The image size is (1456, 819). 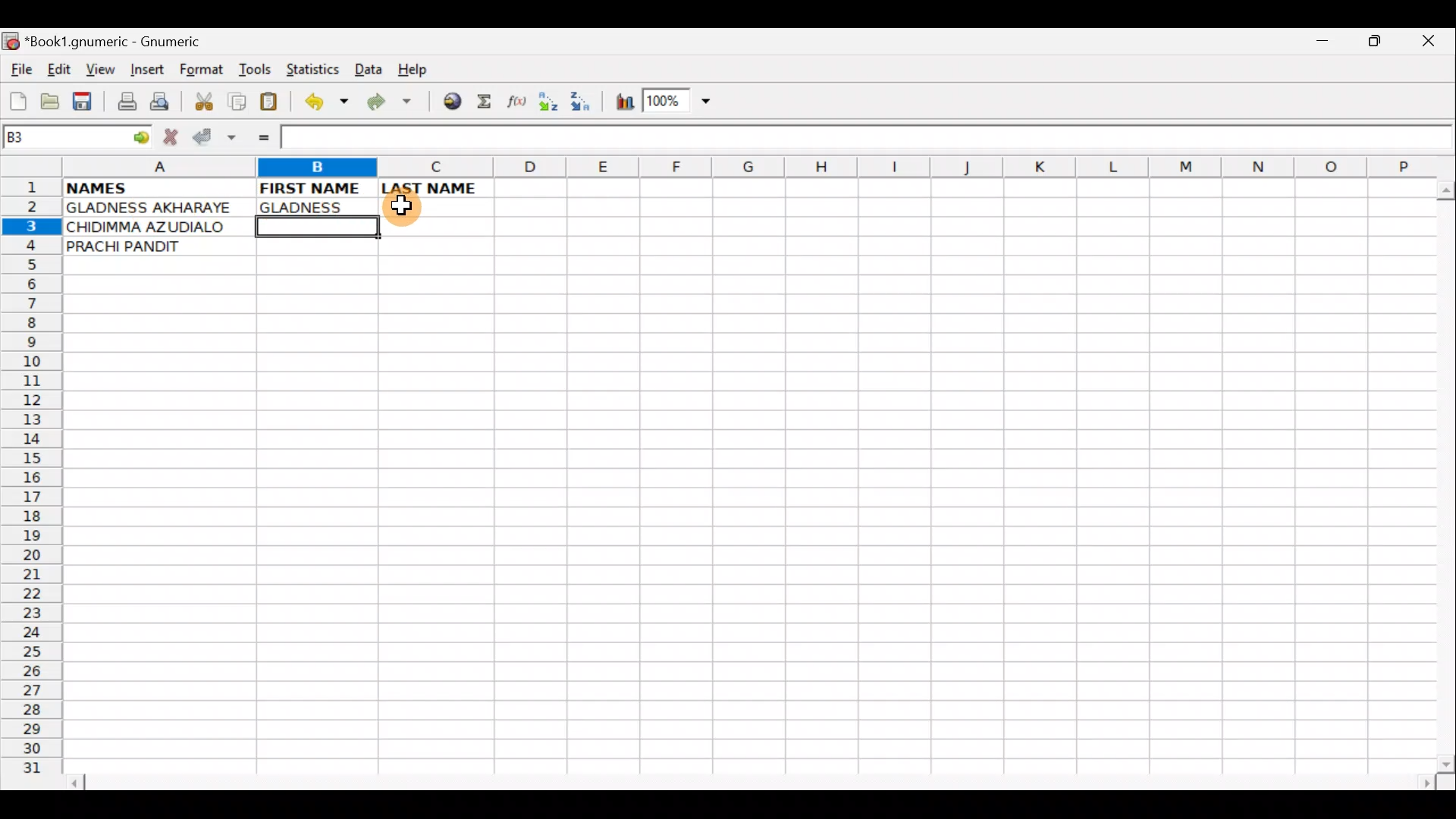 I want to click on go to, so click(x=140, y=135).